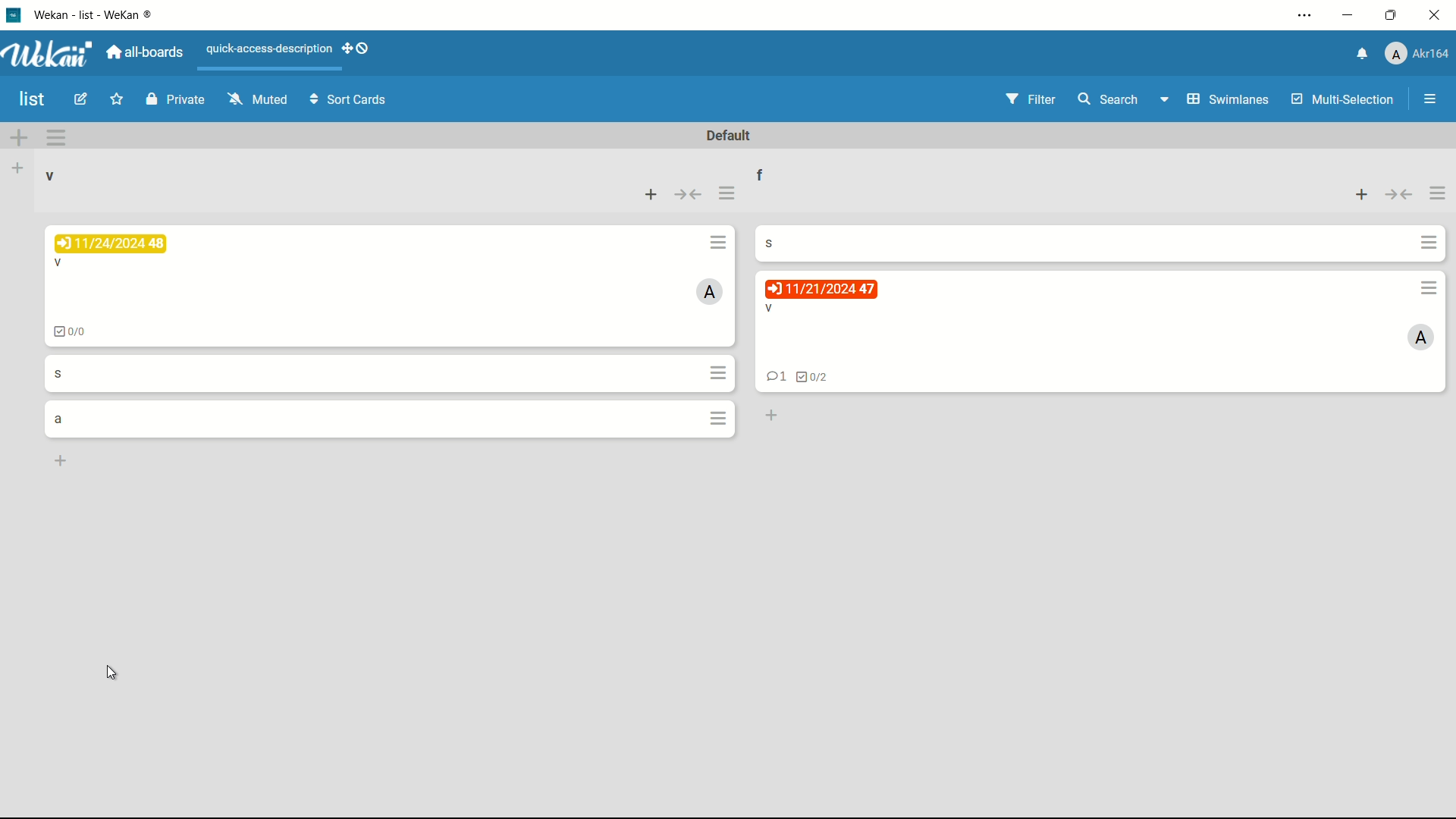 The image size is (1456, 819). Describe the element at coordinates (1439, 196) in the screenshot. I see `list actions` at that location.